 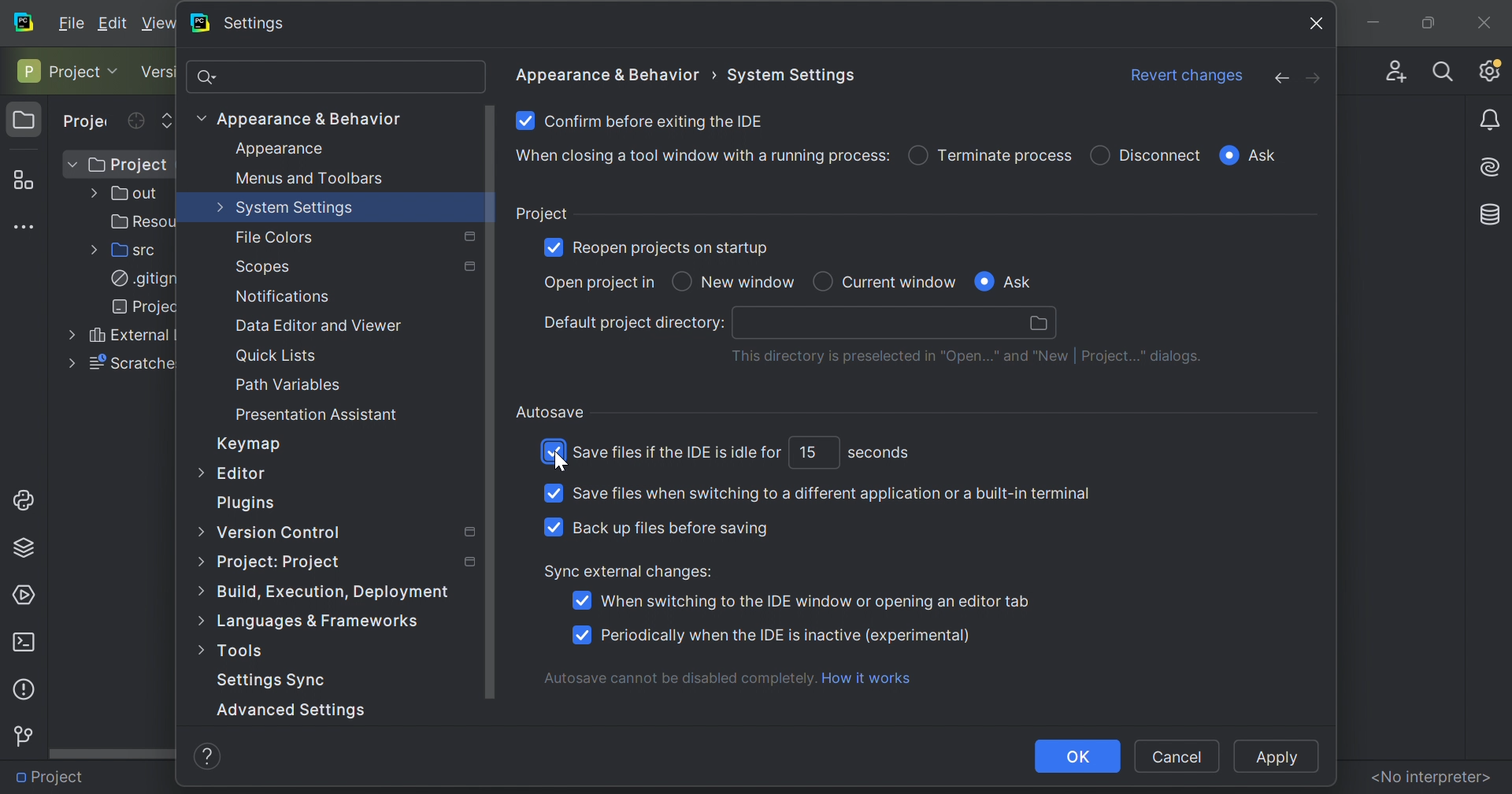 I want to click on Checkbox, so click(x=917, y=157).